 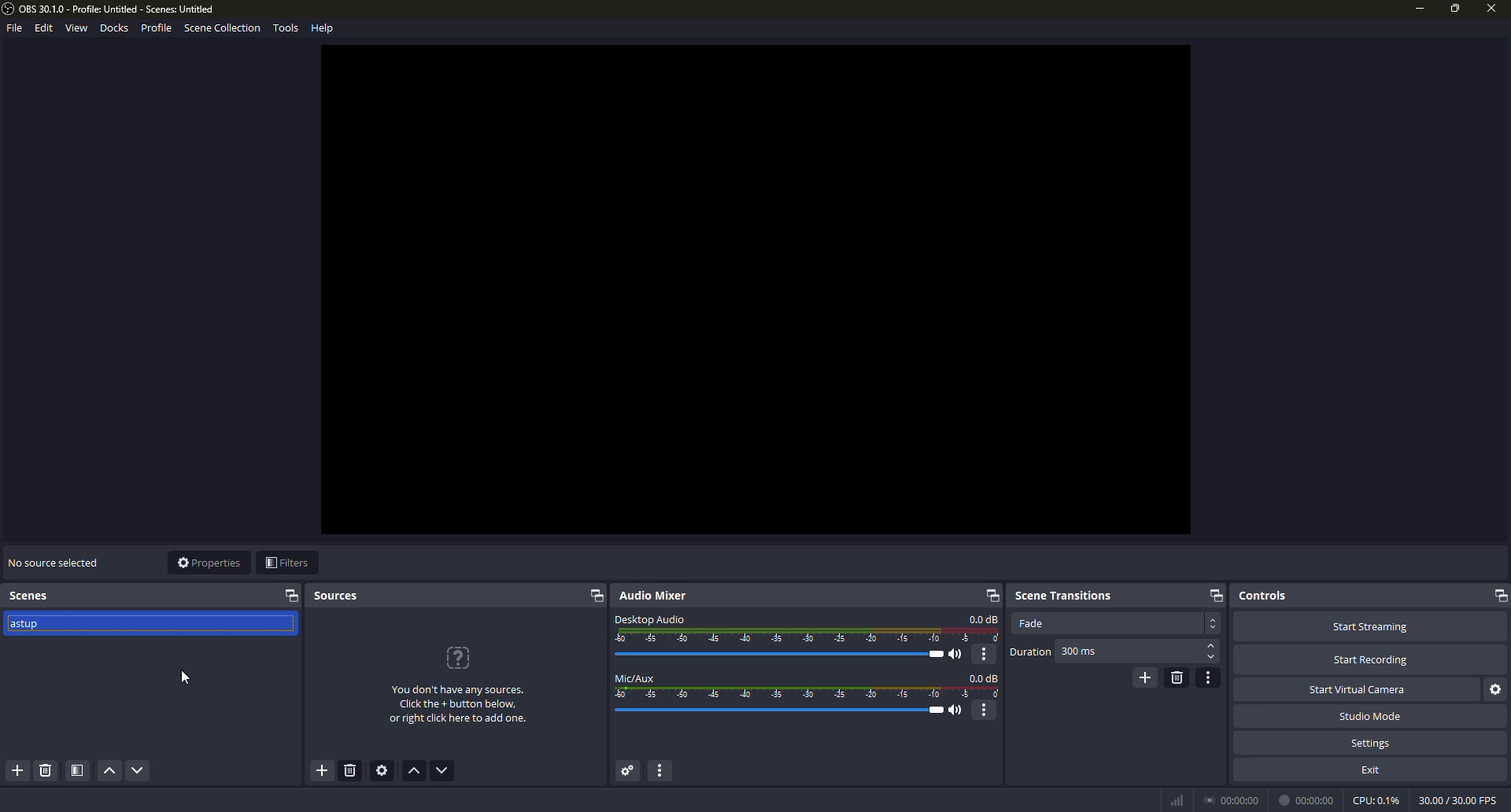 I want to click on move source up, so click(x=416, y=772).